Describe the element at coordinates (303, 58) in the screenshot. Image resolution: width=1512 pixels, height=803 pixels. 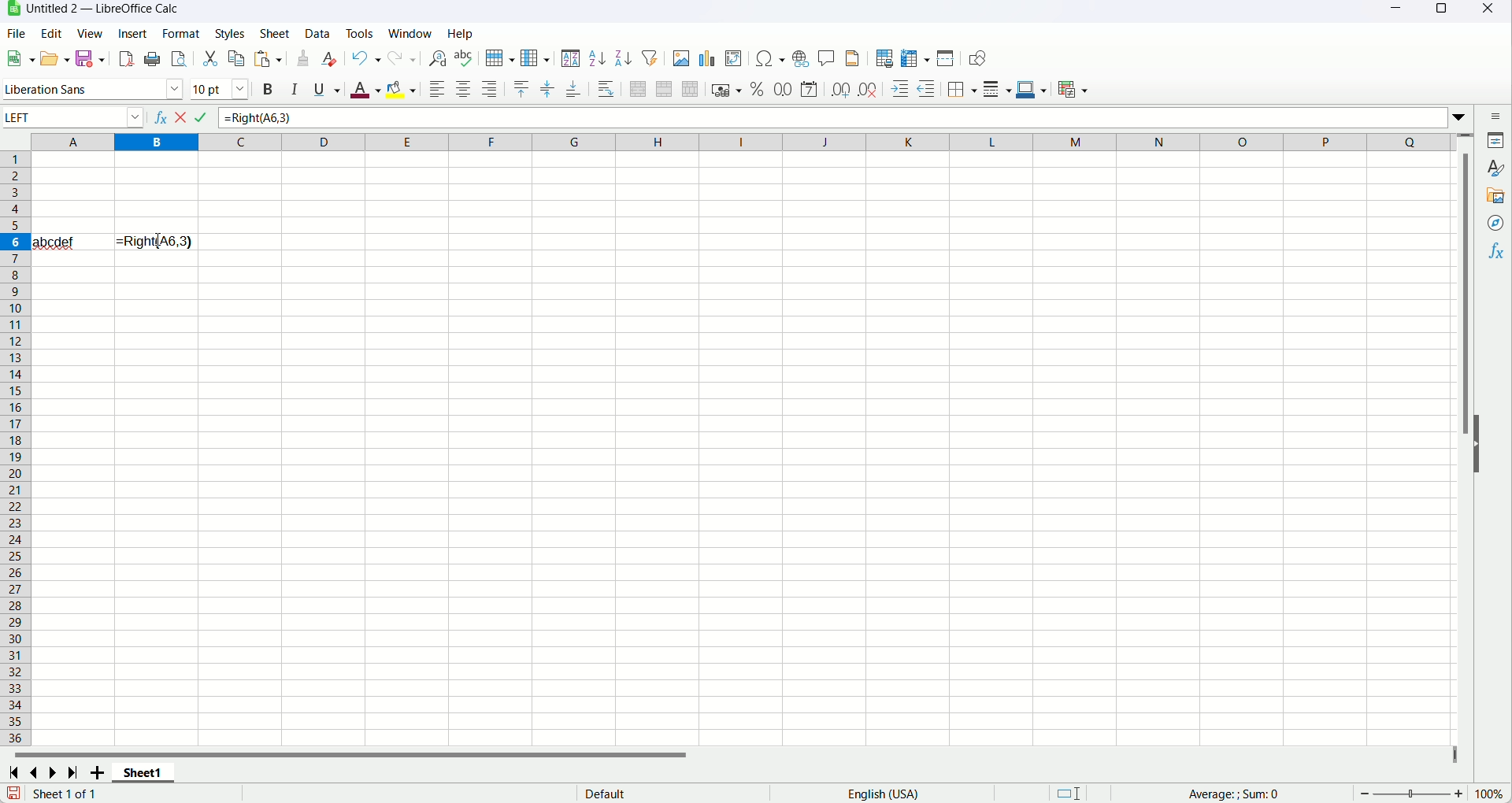
I see `clone formatting` at that location.